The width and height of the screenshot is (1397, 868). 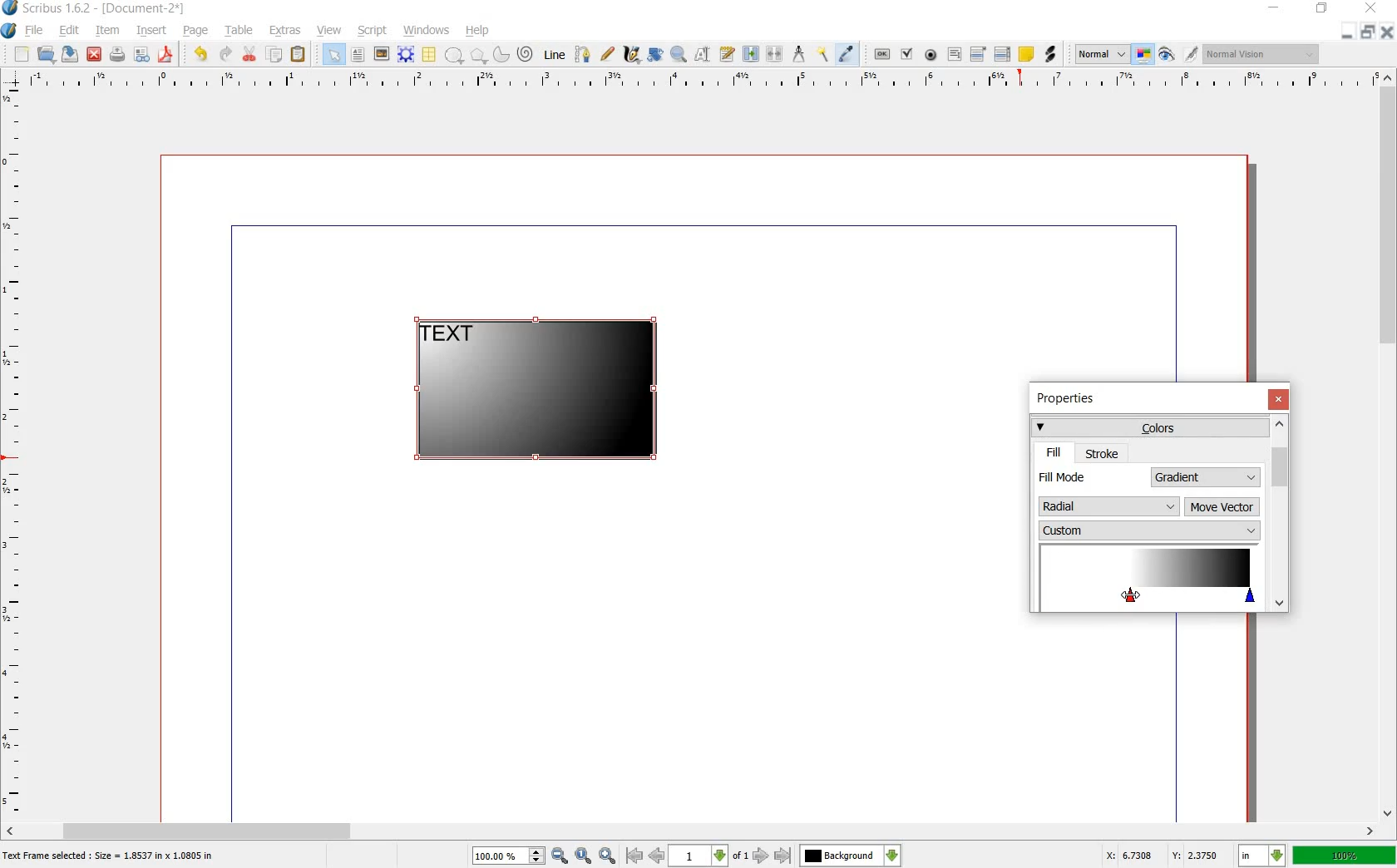 I want to click on toggle color management system, so click(x=1144, y=55).